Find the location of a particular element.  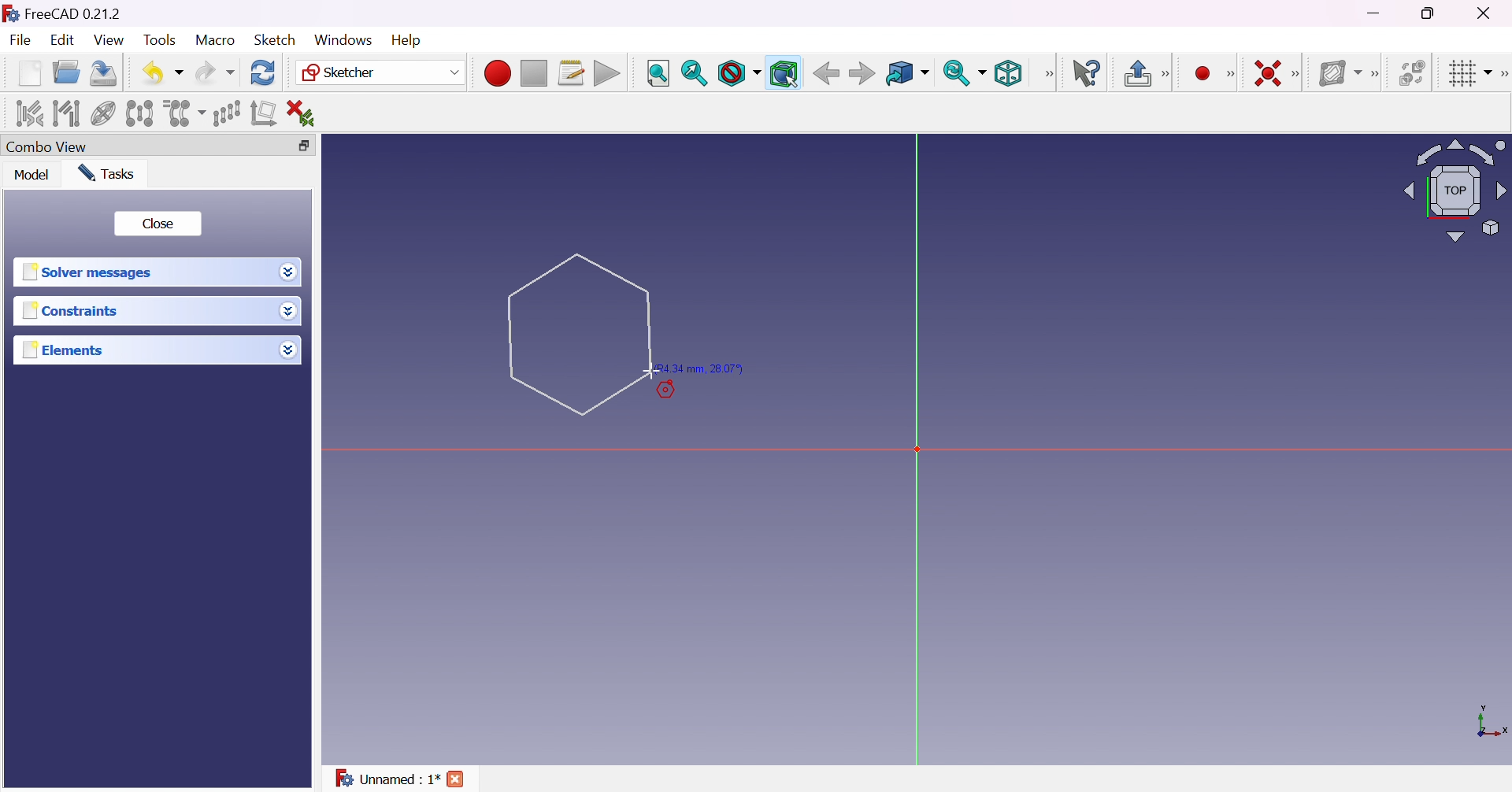

Open is located at coordinates (66, 72).